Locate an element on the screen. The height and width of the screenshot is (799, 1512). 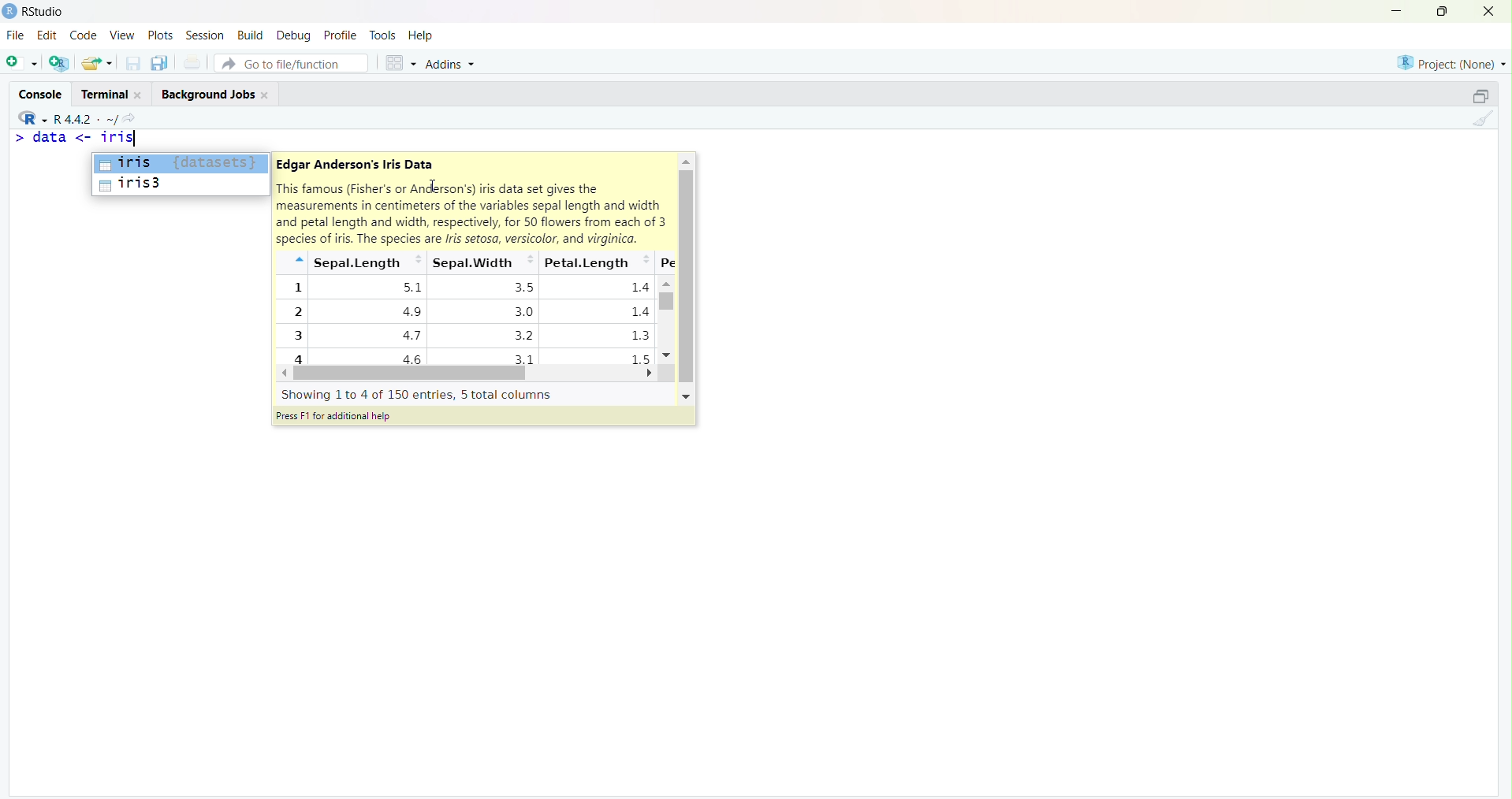
File is located at coordinates (15, 35).